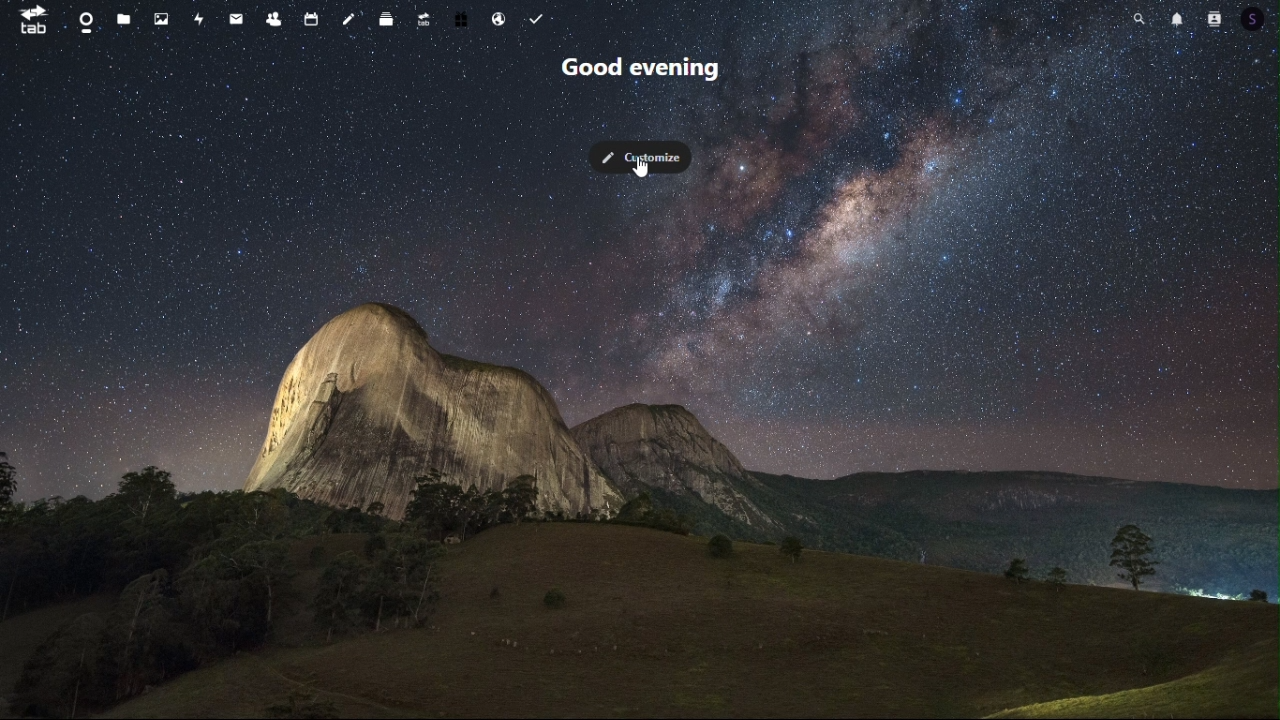  Describe the element at coordinates (463, 18) in the screenshot. I see `free trial` at that location.